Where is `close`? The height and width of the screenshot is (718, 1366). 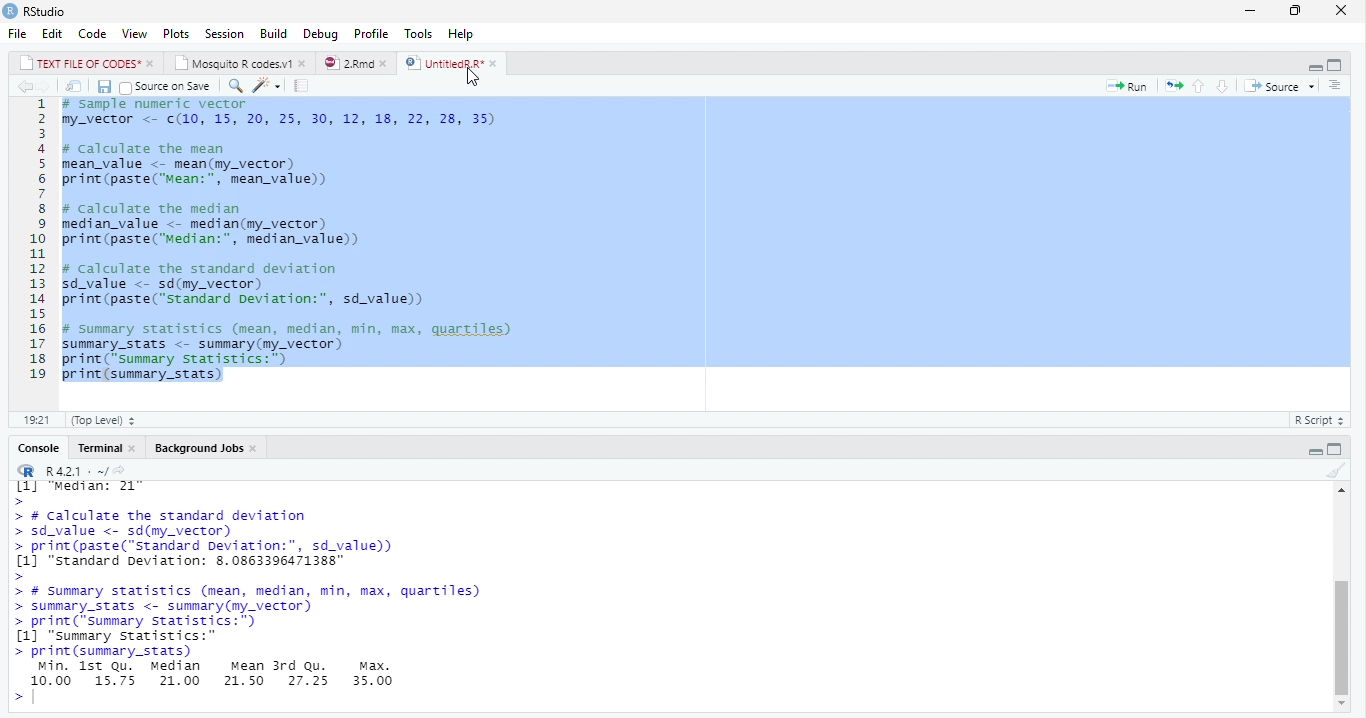 close is located at coordinates (388, 64).